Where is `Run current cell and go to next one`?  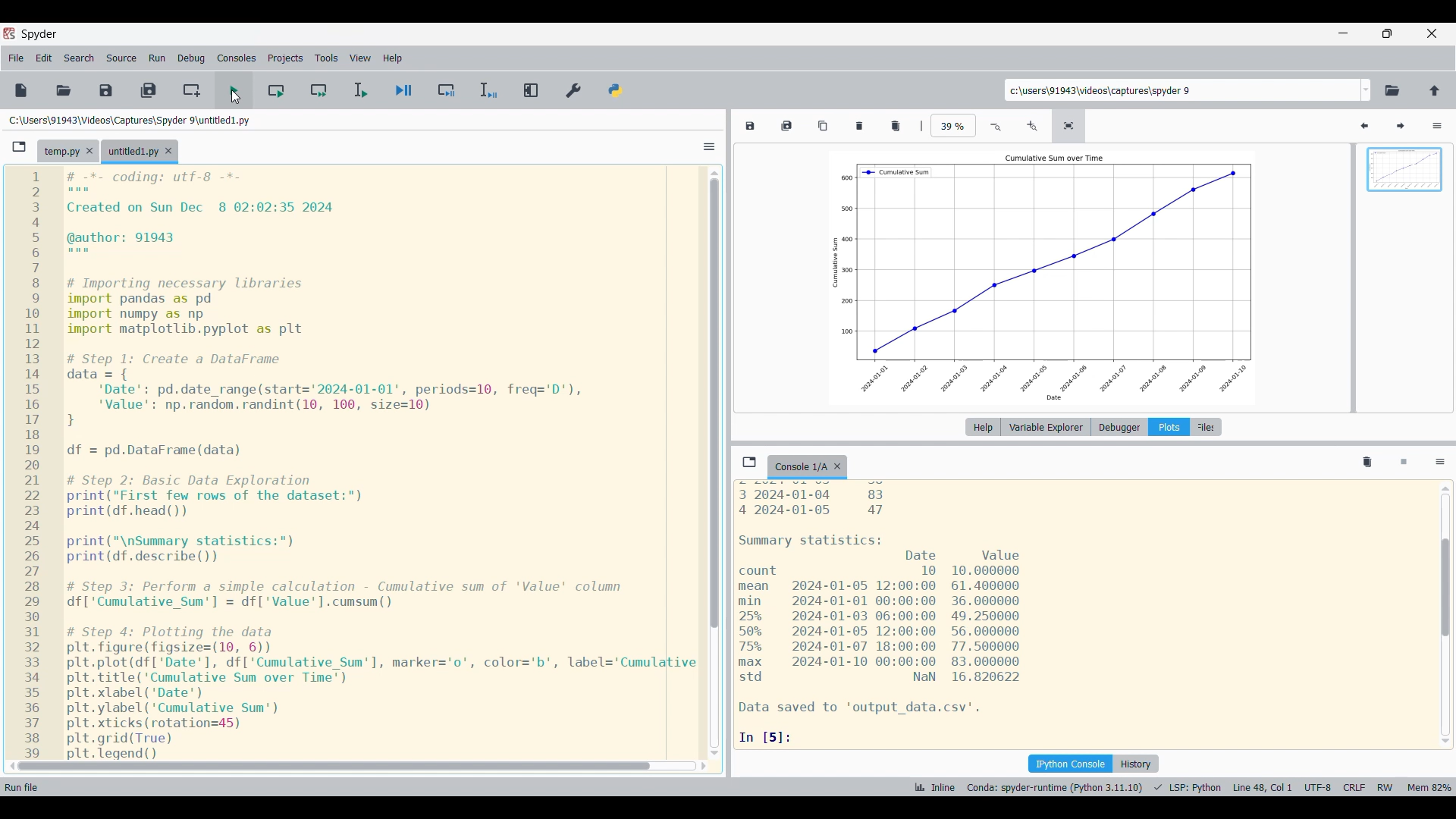
Run current cell and go to next one is located at coordinates (319, 91).